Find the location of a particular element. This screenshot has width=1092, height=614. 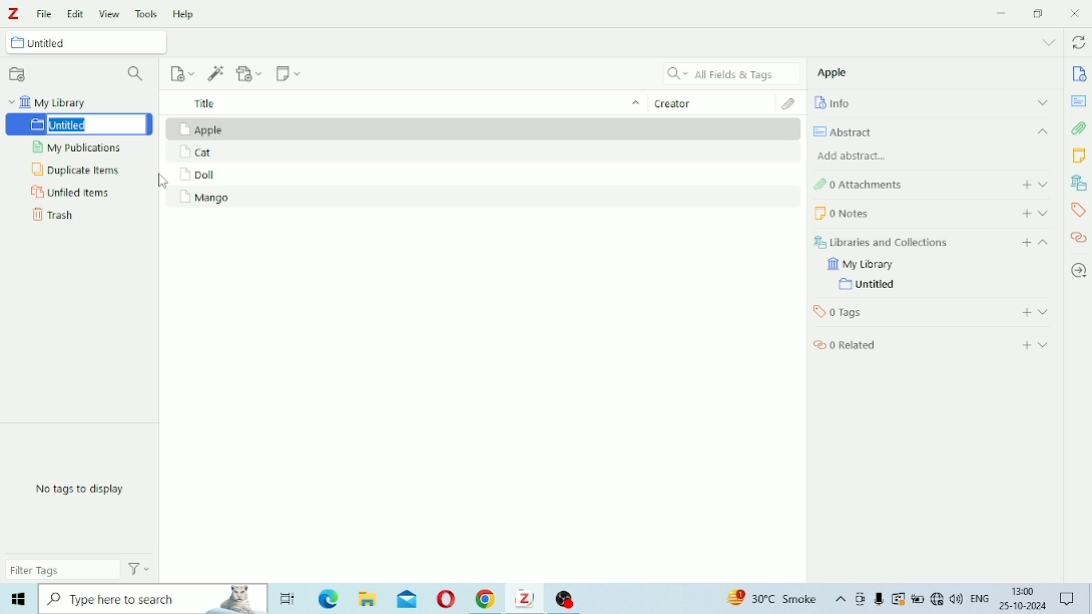

Attachments is located at coordinates (791, 104).